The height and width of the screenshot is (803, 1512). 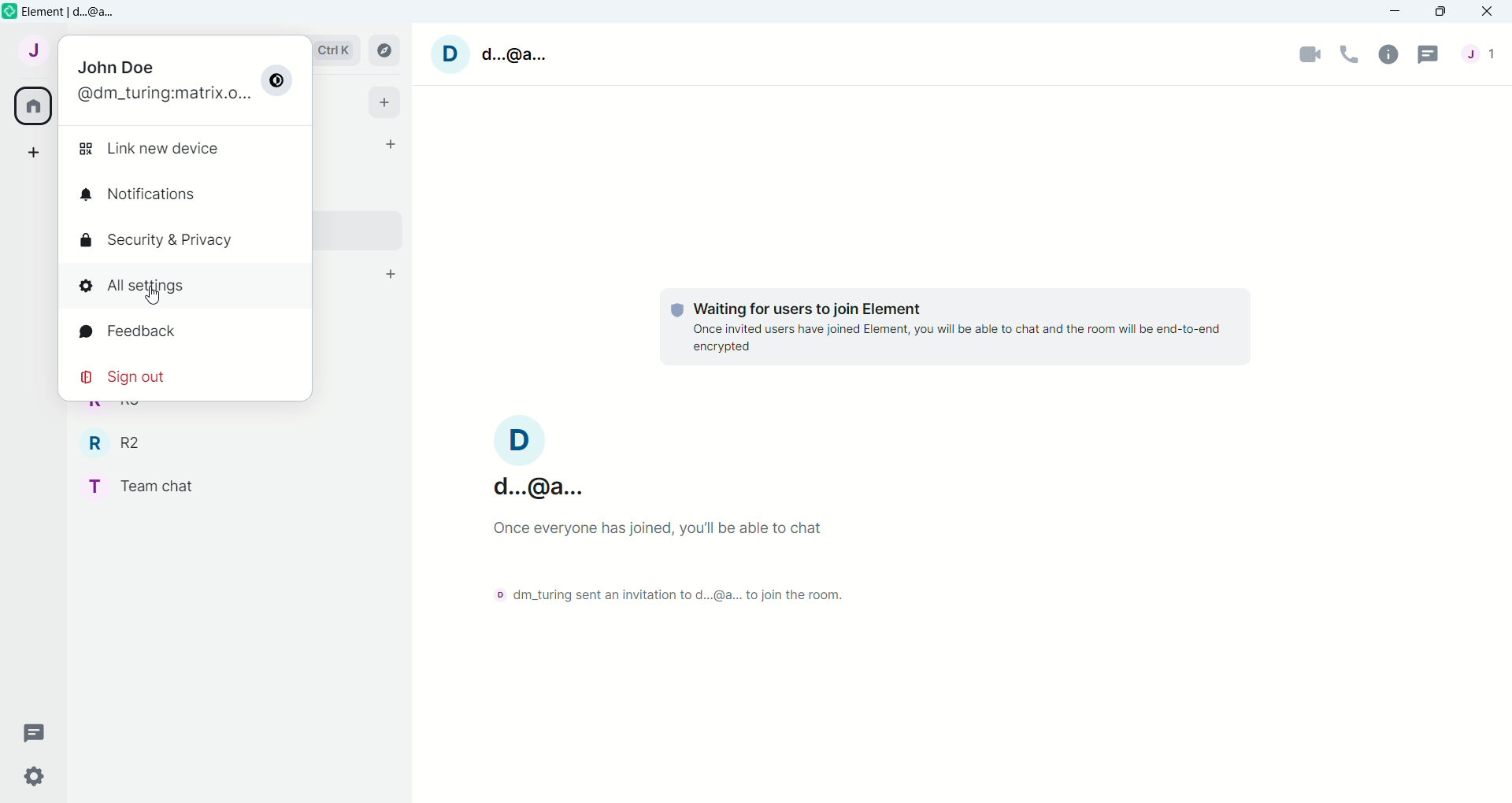 What do you see at coordinates (391, 274) in the screenshot?
I see `Add room` at bounding box center [391, 274].